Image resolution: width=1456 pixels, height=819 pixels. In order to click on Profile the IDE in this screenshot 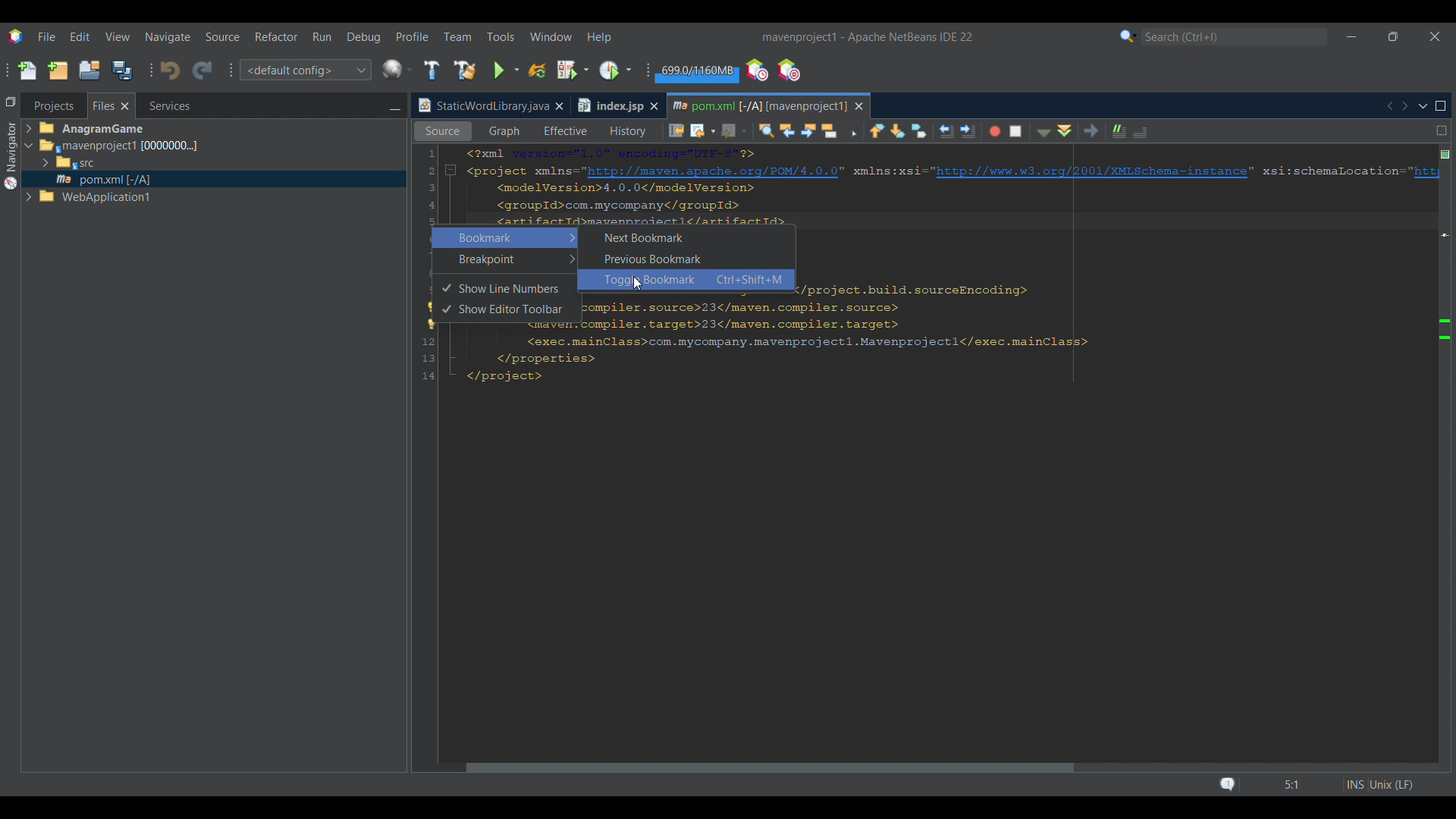, I will do `click(758, 71)`.